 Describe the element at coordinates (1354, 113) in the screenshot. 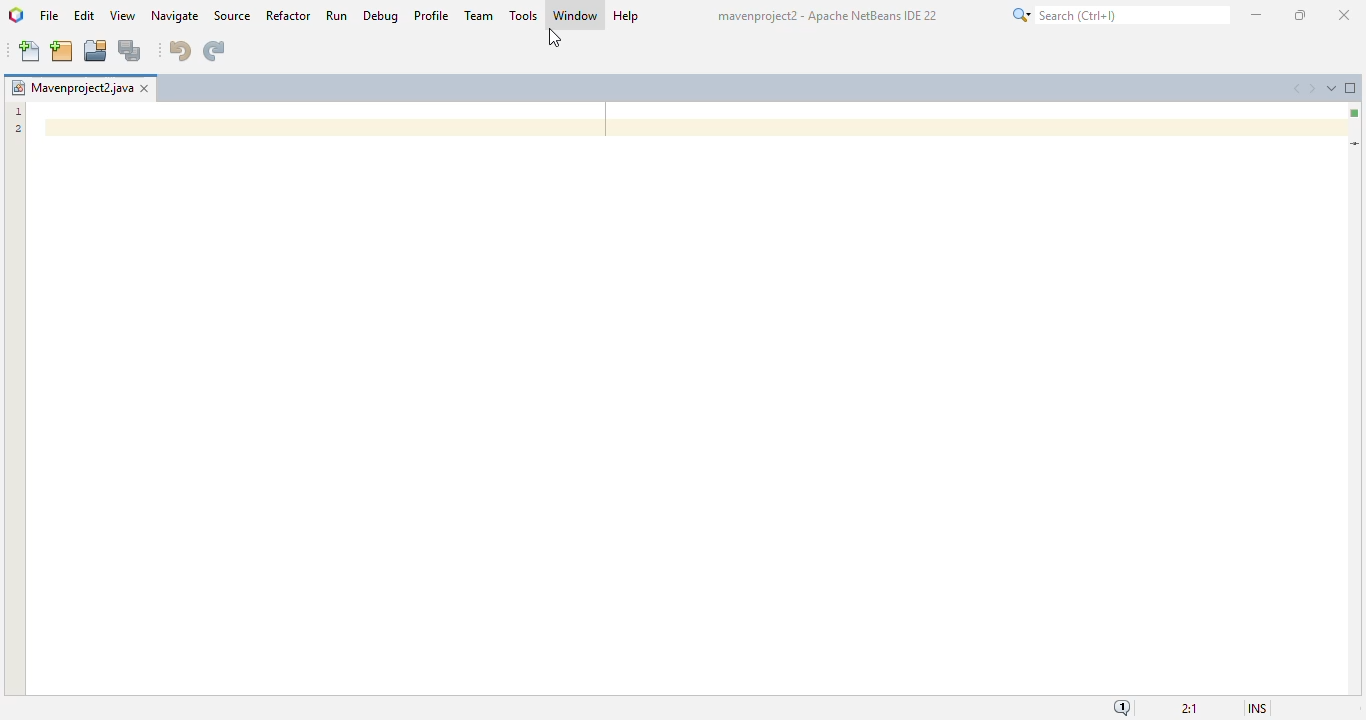

I see `no errors` at that location.